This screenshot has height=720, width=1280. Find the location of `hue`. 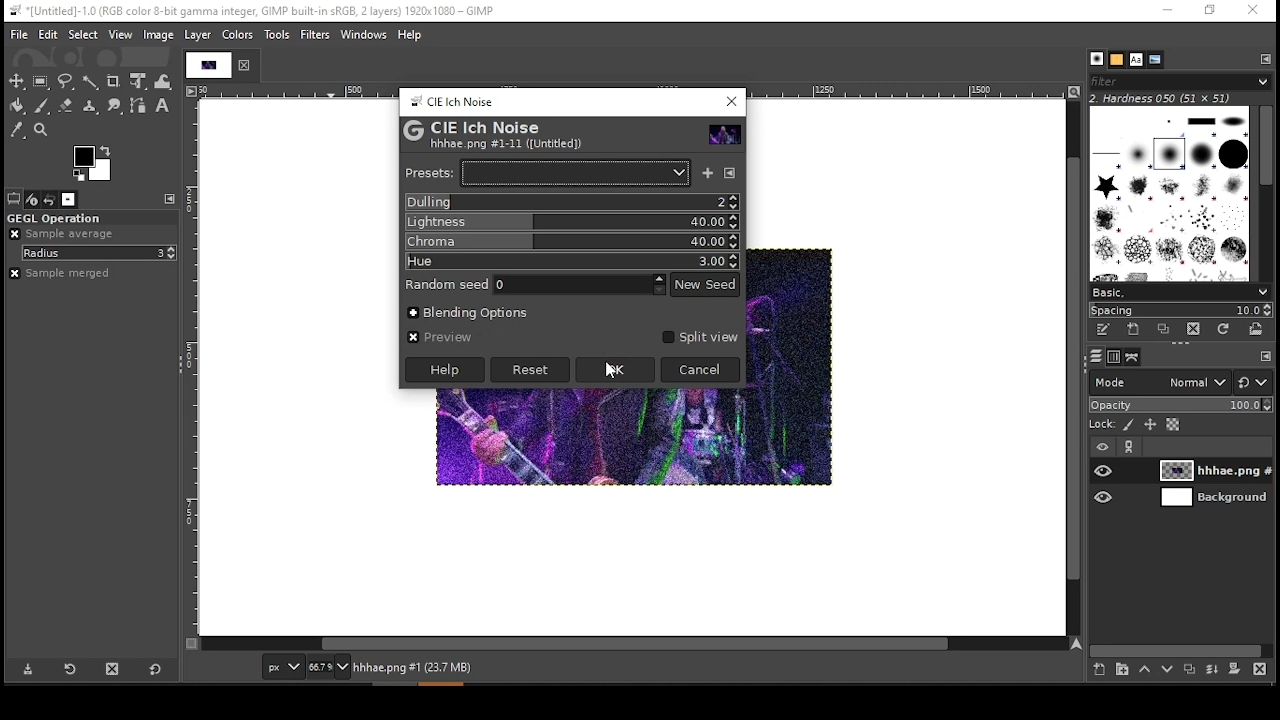

hue is located at coordinates (571, 261).